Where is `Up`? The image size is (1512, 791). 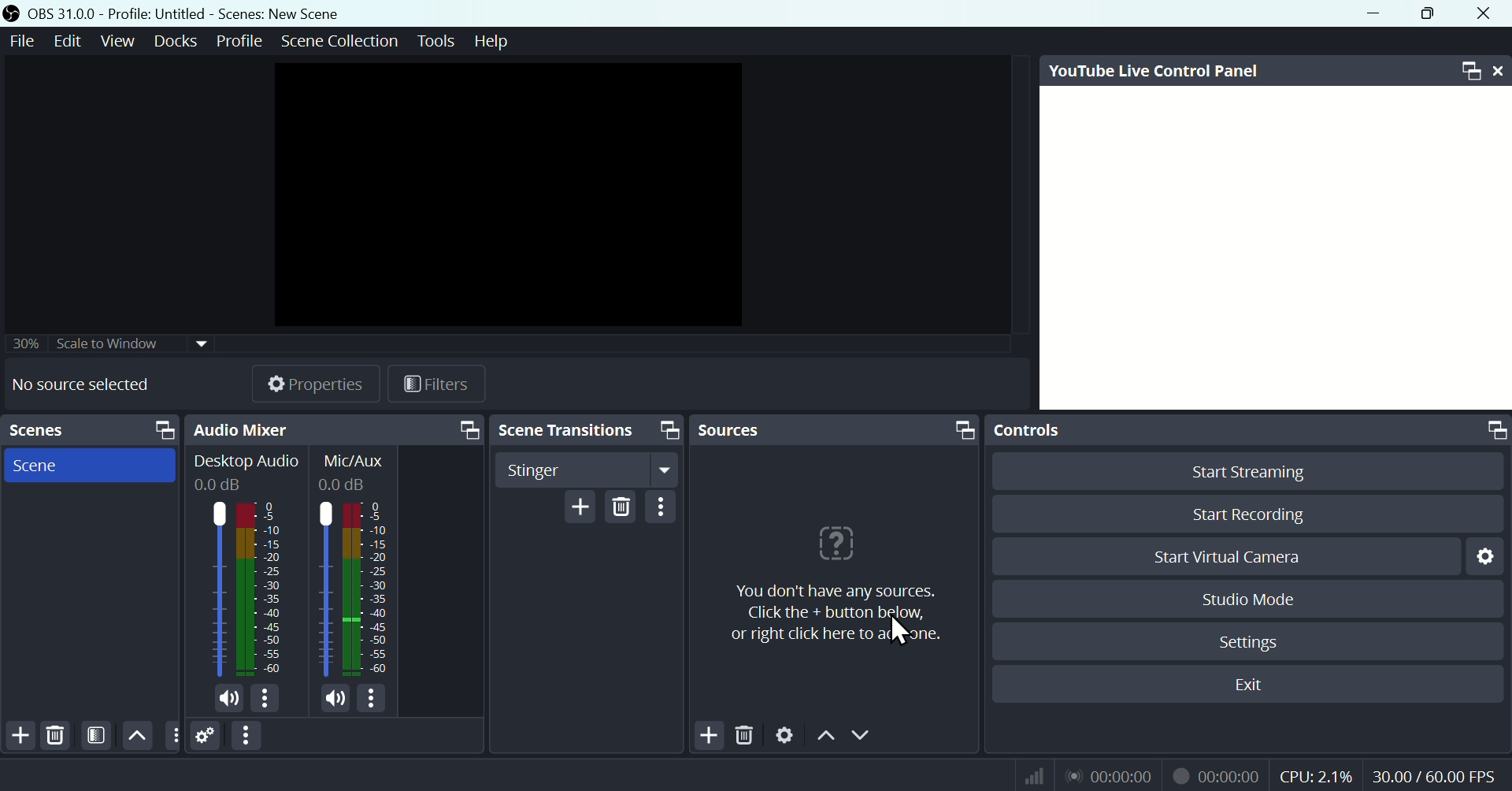
Up is located at coordinates (137, 735).